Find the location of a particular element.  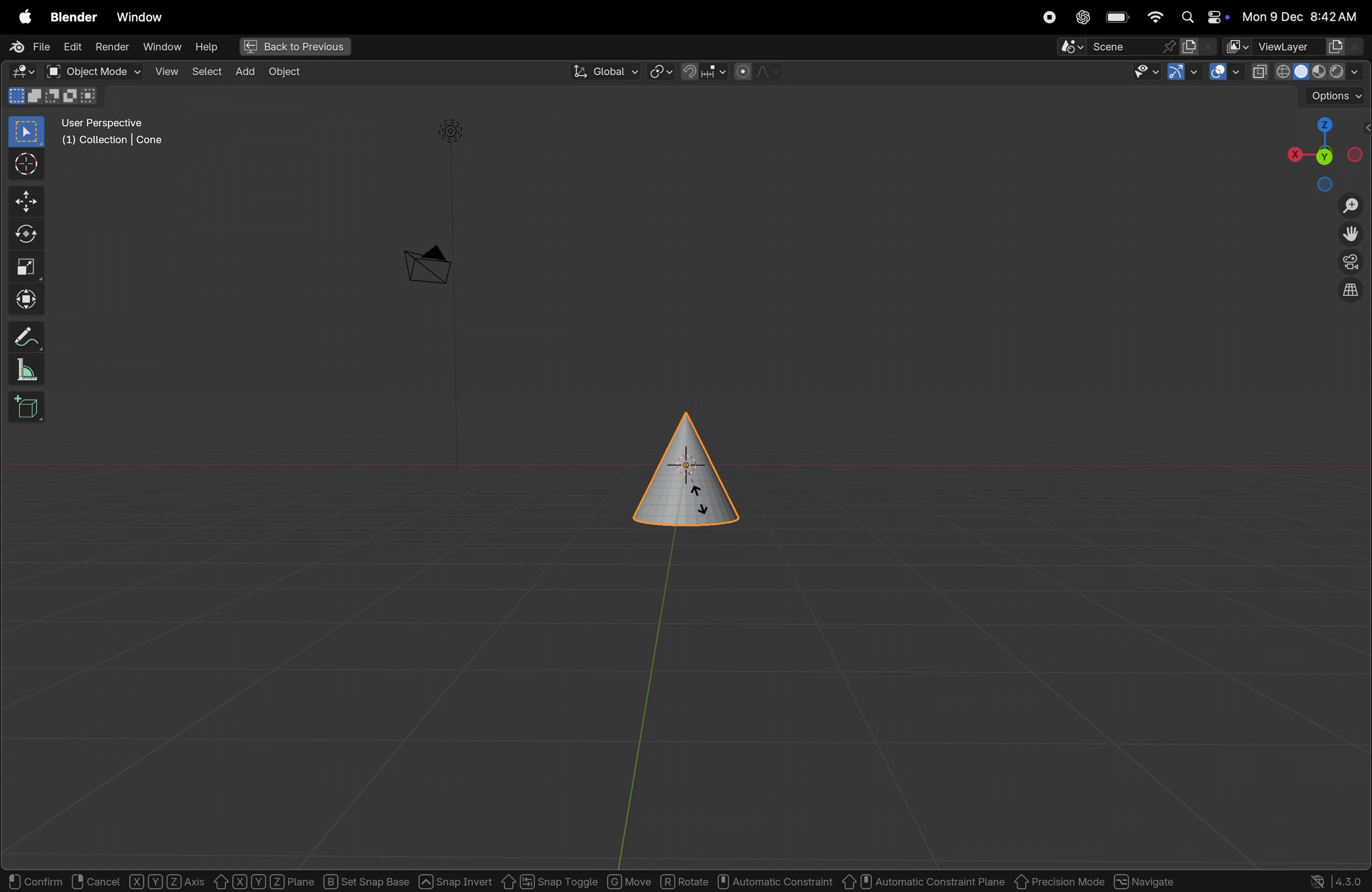

record is located at coordinates (1050, 17).